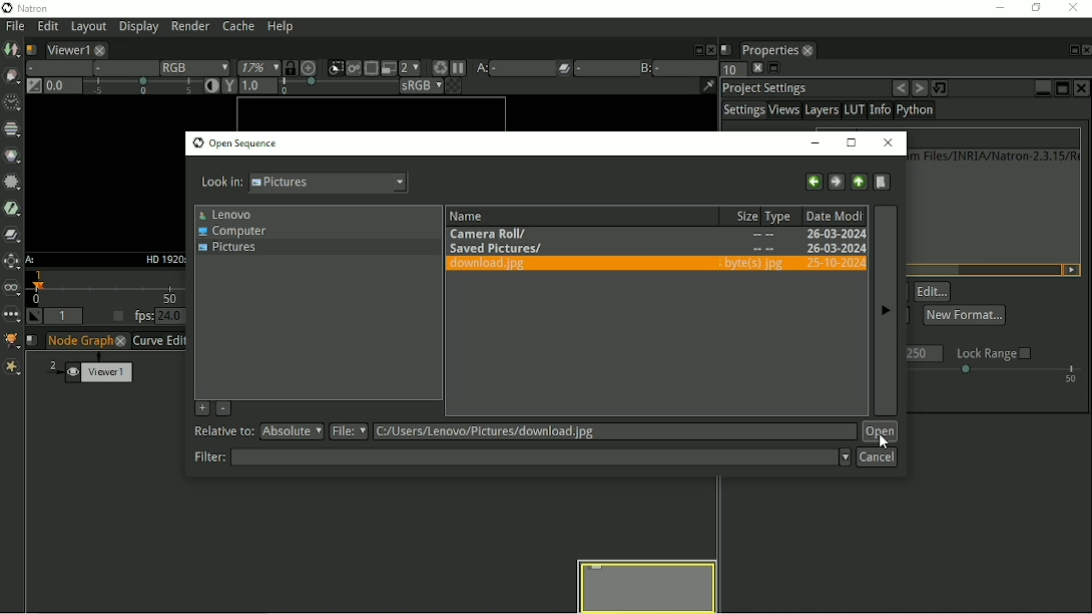  Describe the element at coordinates (12, 50) in the screenshot. I see `Image` at that location.